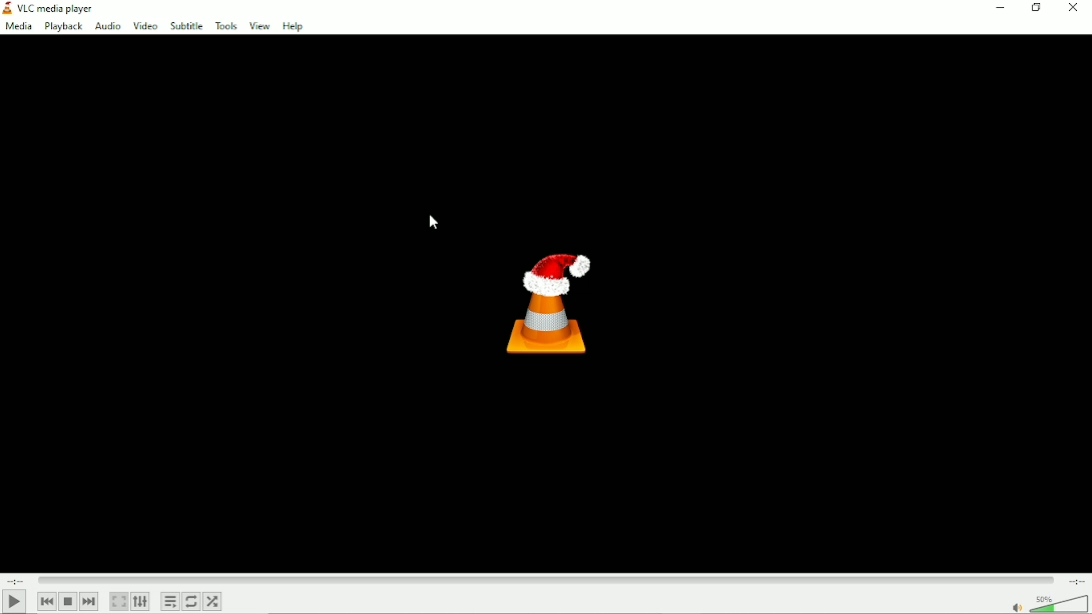 The image size is (1092, 614). I want to click on Media, so click(18, 28).